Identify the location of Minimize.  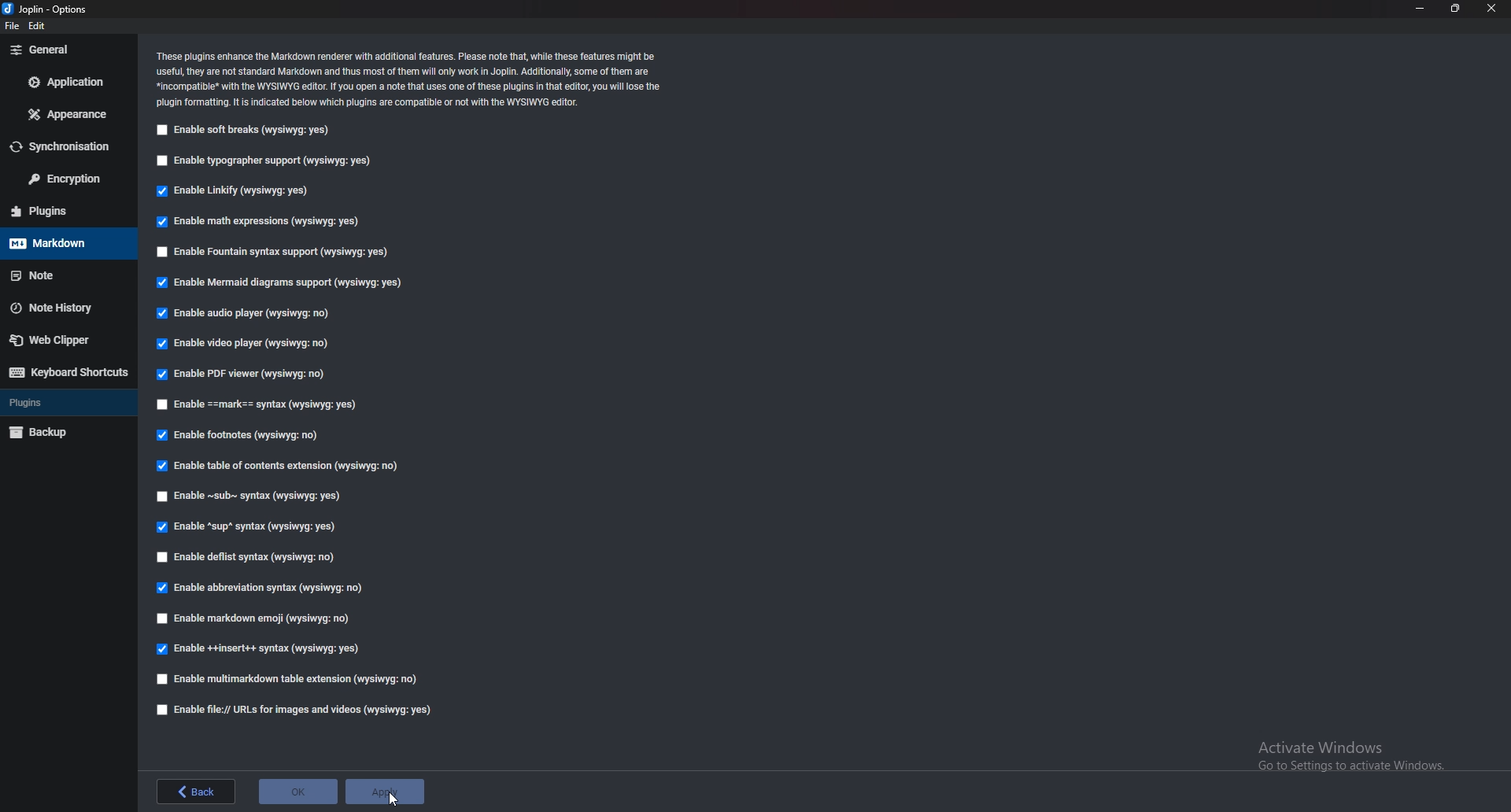
(1419, 8).